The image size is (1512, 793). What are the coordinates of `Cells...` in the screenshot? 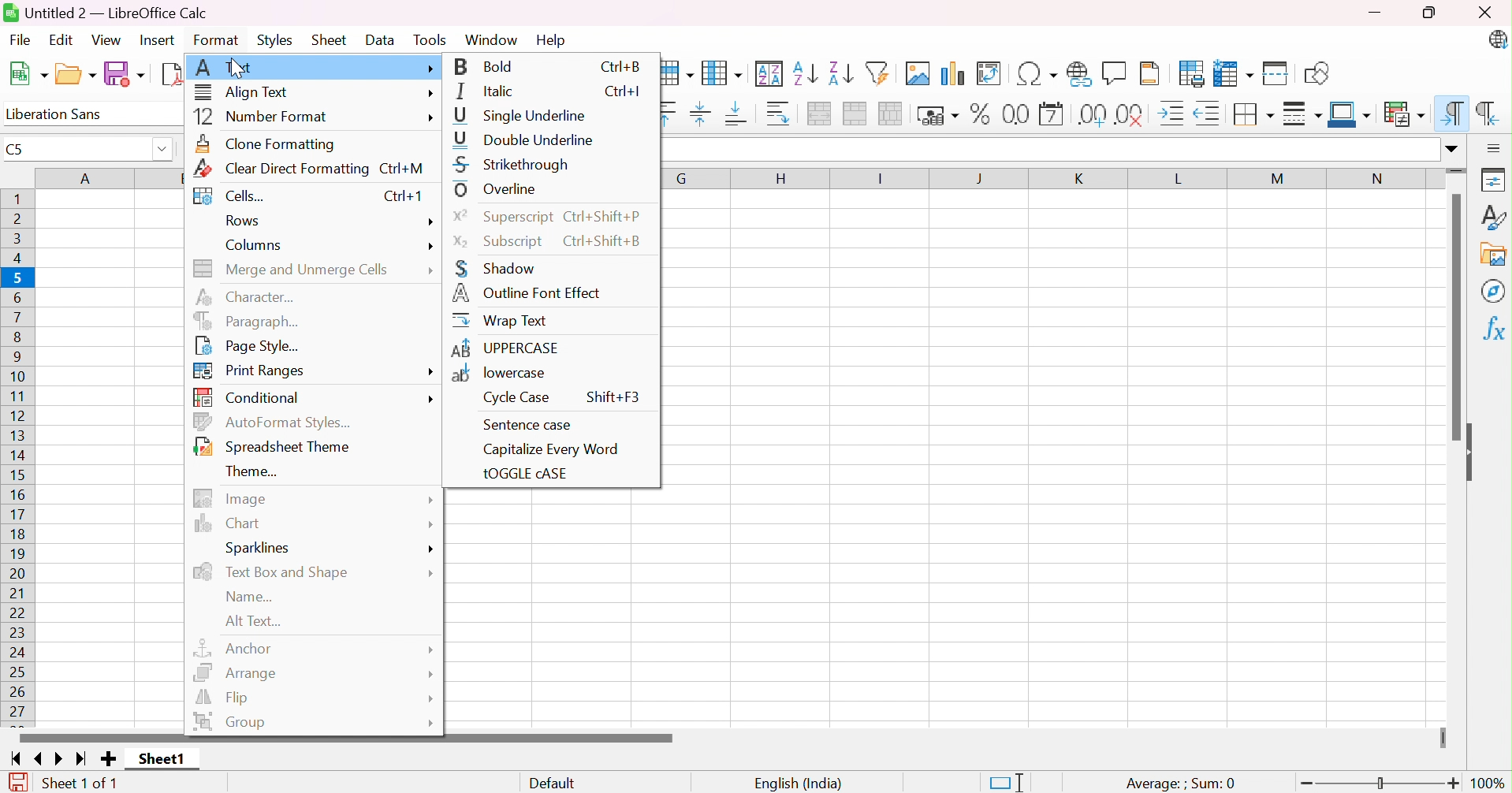 It's located at (233, 194).